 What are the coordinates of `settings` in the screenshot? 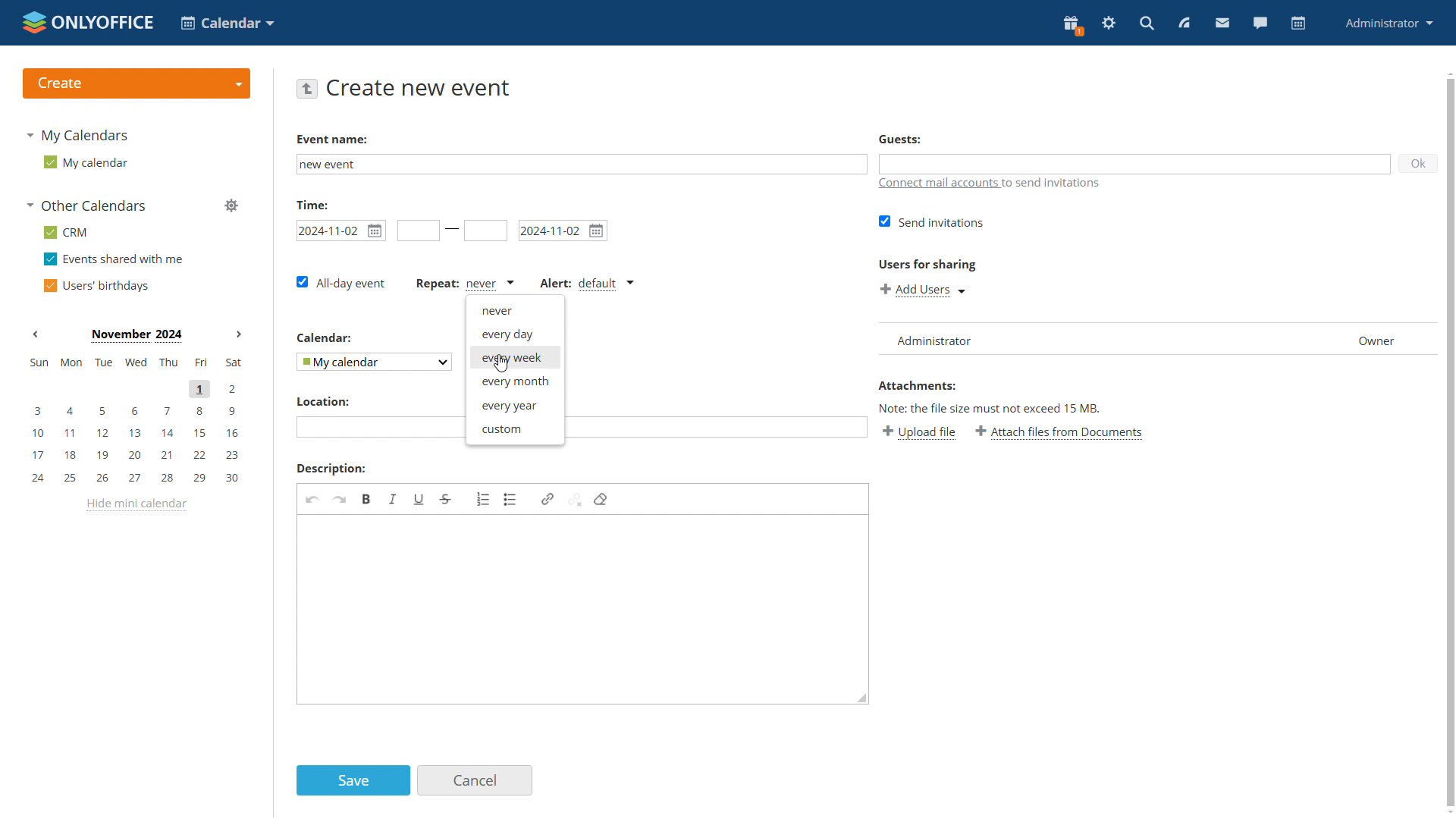 It's located at (1109, 24).